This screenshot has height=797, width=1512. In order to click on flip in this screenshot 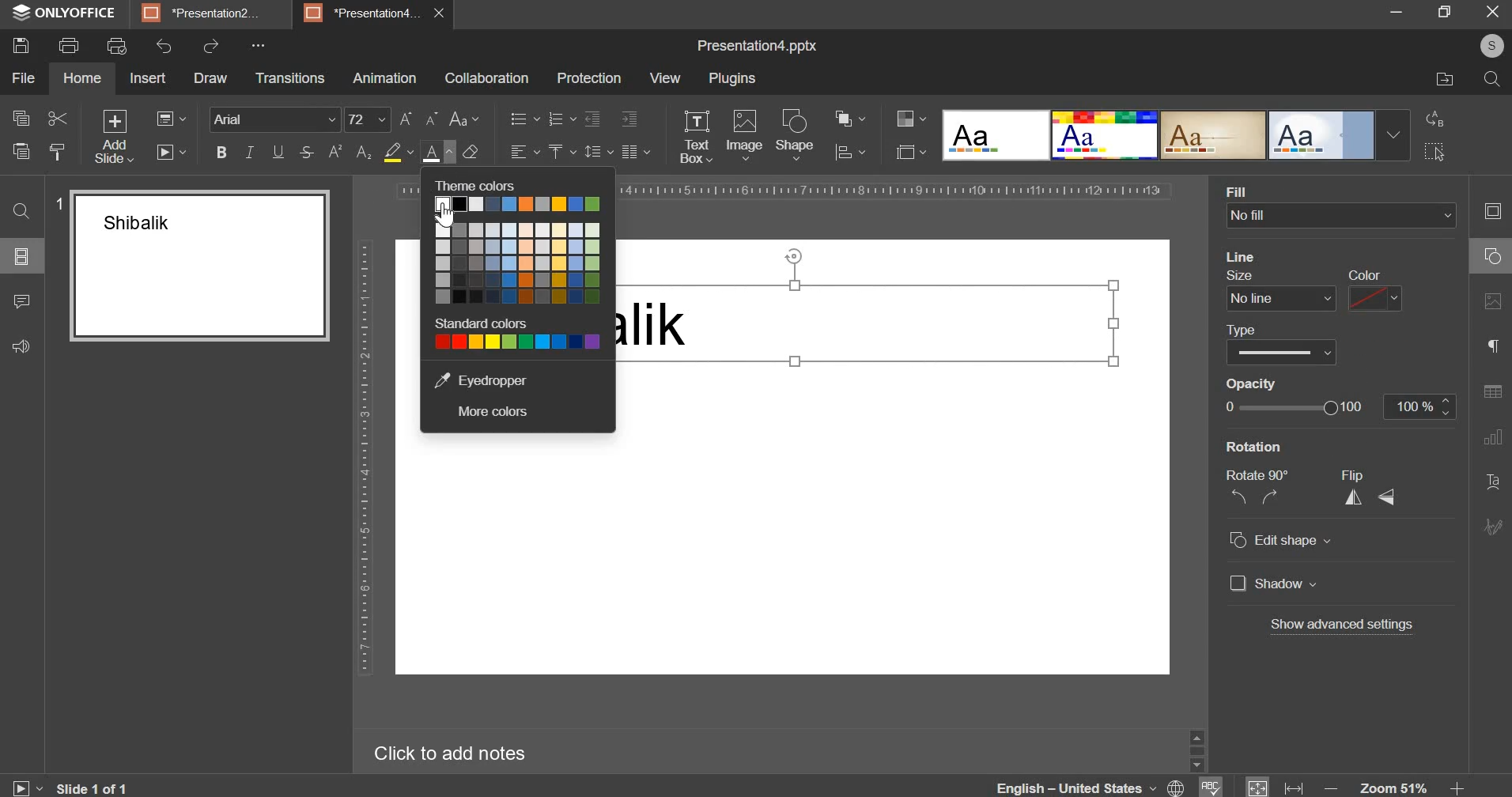, I will do `click(1358, 475)`.